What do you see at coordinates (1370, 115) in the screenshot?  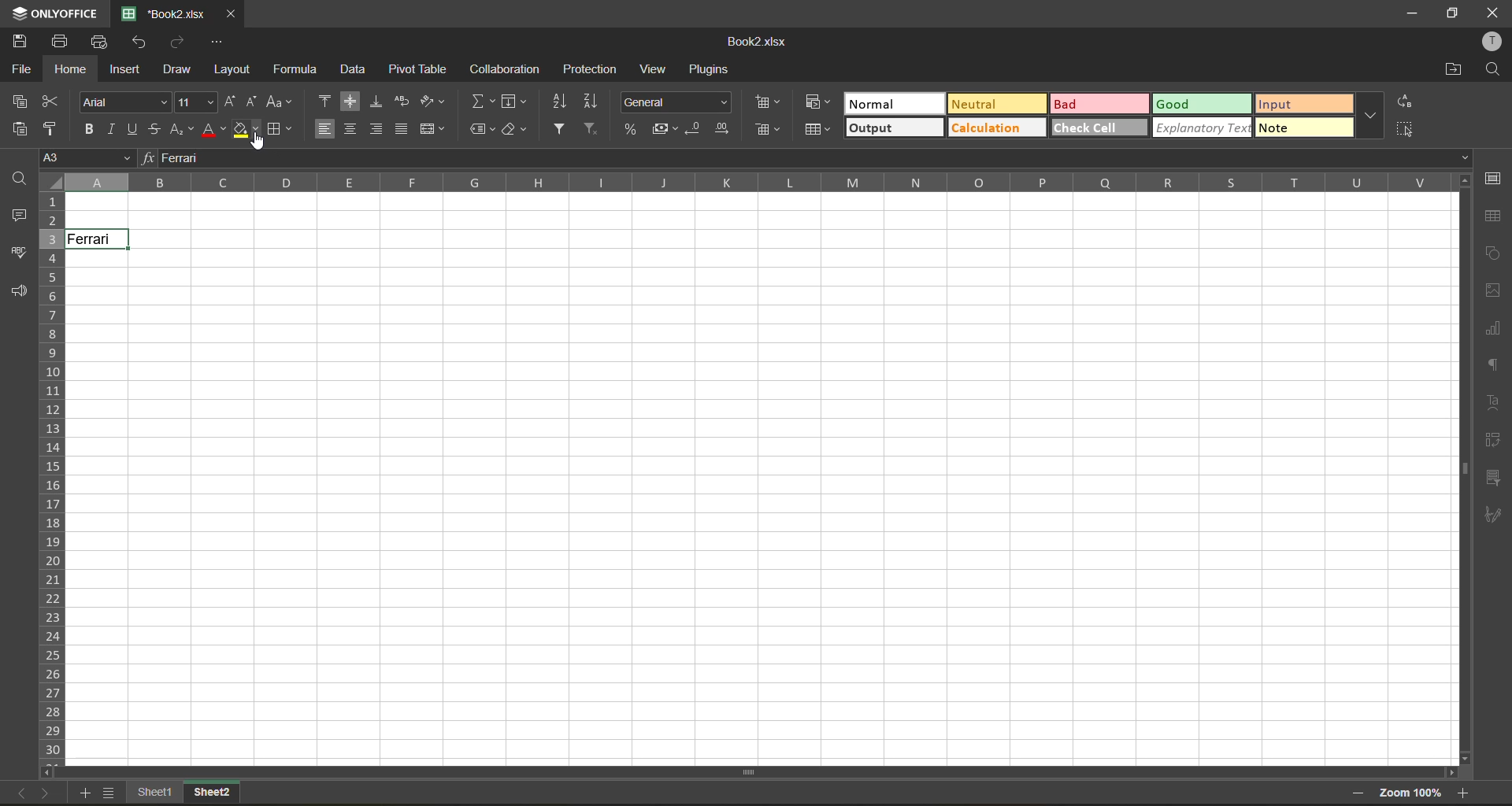 I see `more options` at bounding box center [1370, 115].